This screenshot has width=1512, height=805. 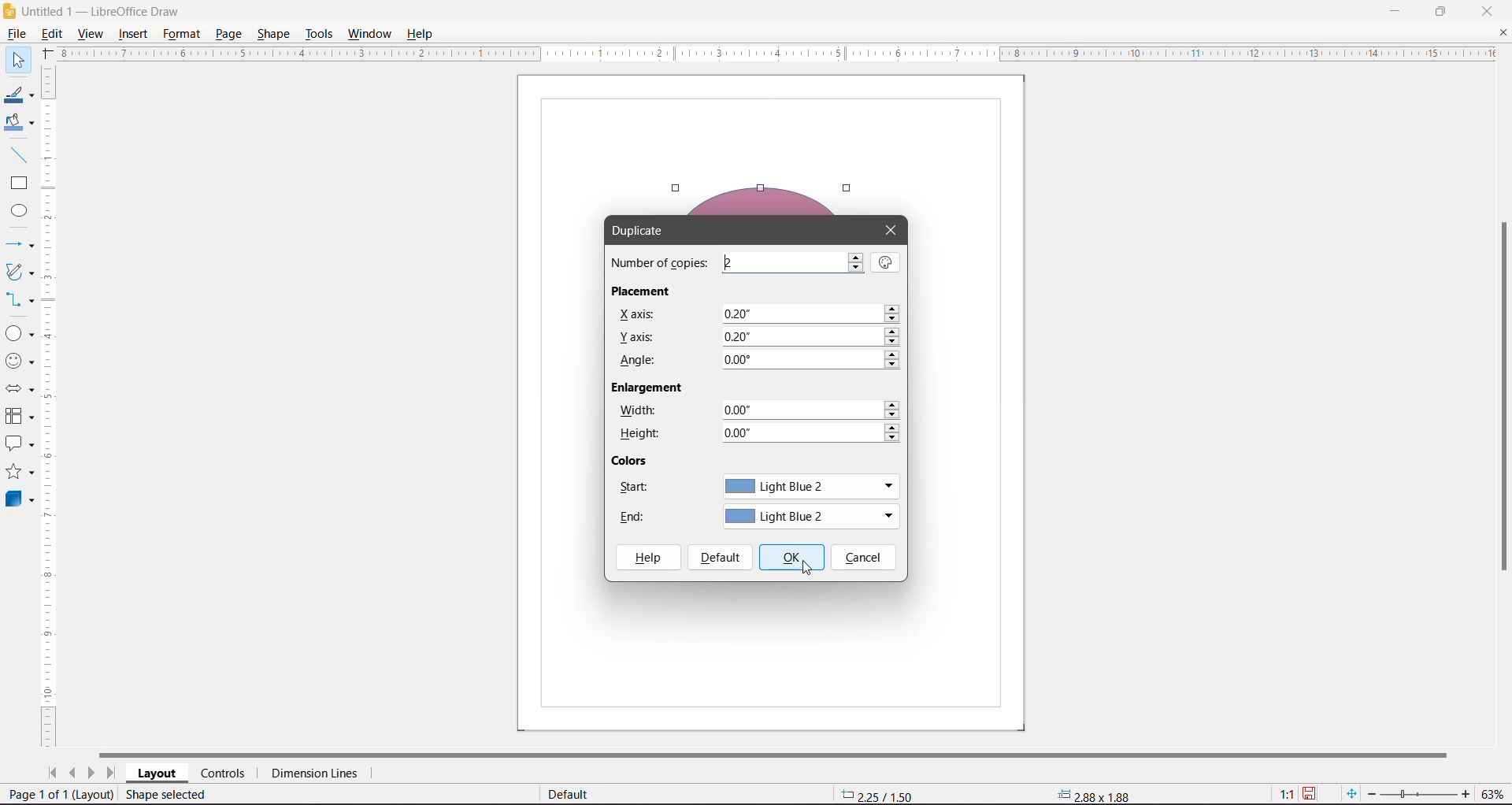 What do you see at coordinates (111, 773) in the screenshot?
I see `Scroll to last page` at bounding box center [111, 773].